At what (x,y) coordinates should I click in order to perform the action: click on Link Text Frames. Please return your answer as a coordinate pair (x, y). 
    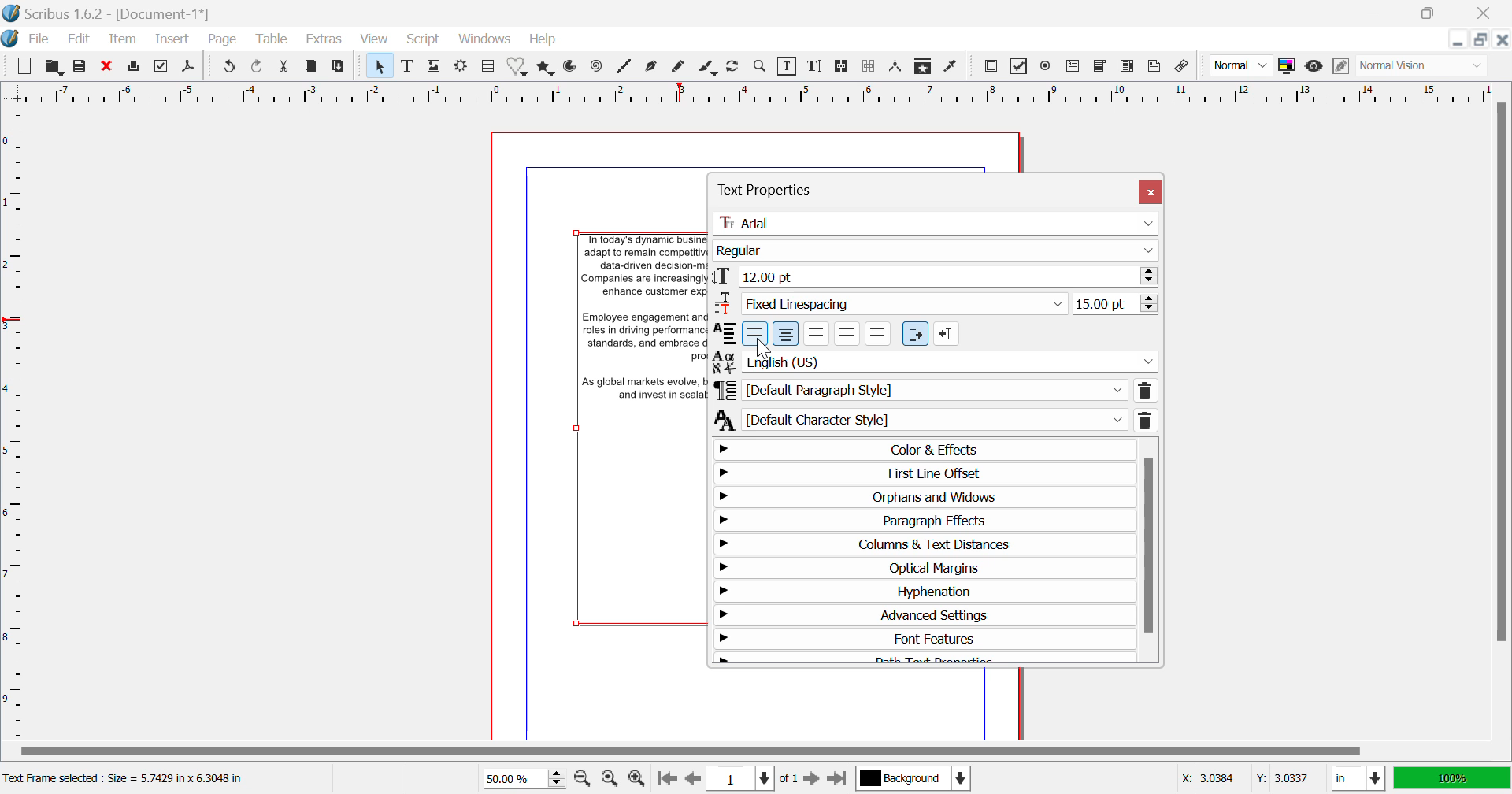
    Looking at the image, I should click on (844, 65).